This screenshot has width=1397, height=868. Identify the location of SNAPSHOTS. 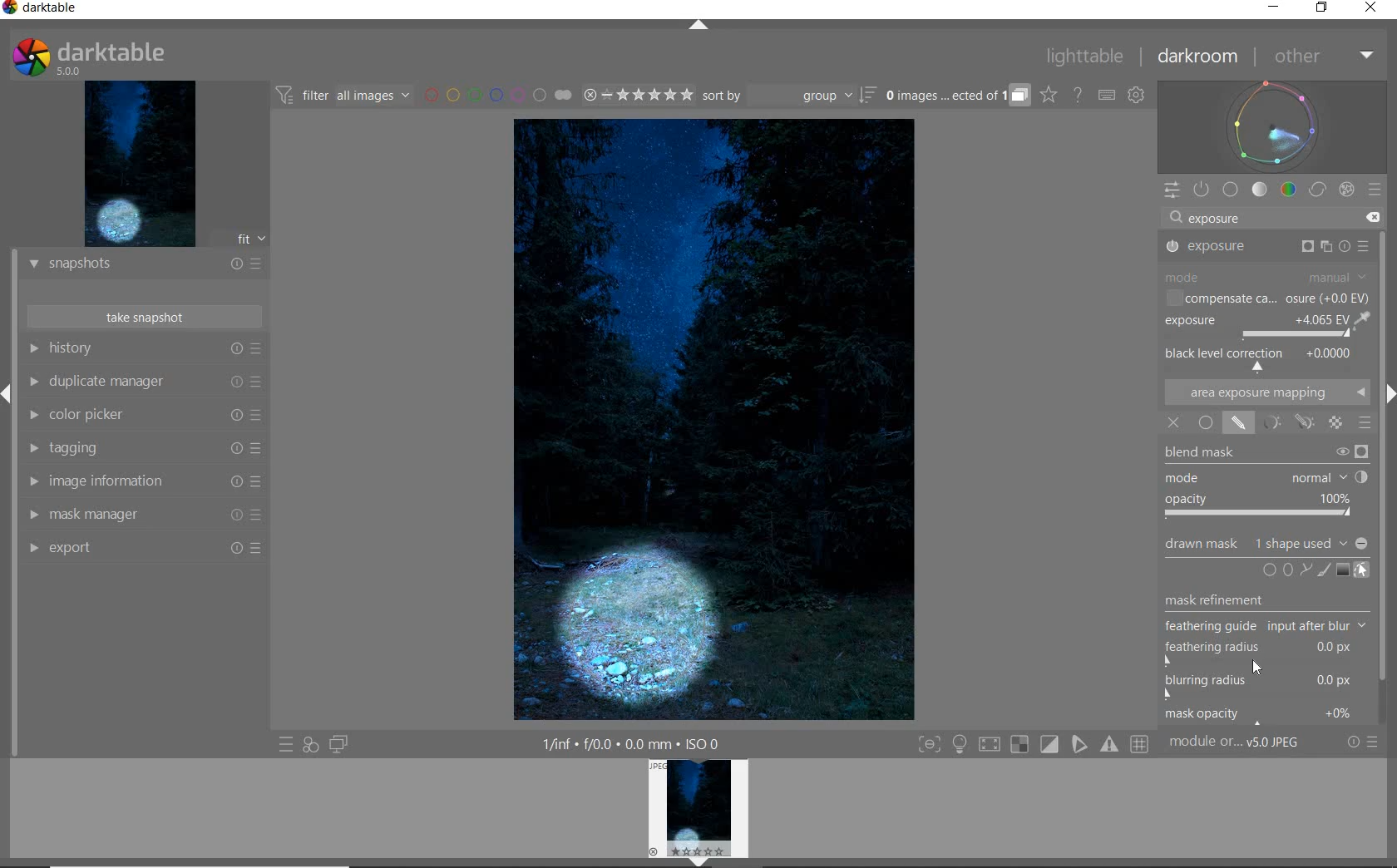
(144, 266).